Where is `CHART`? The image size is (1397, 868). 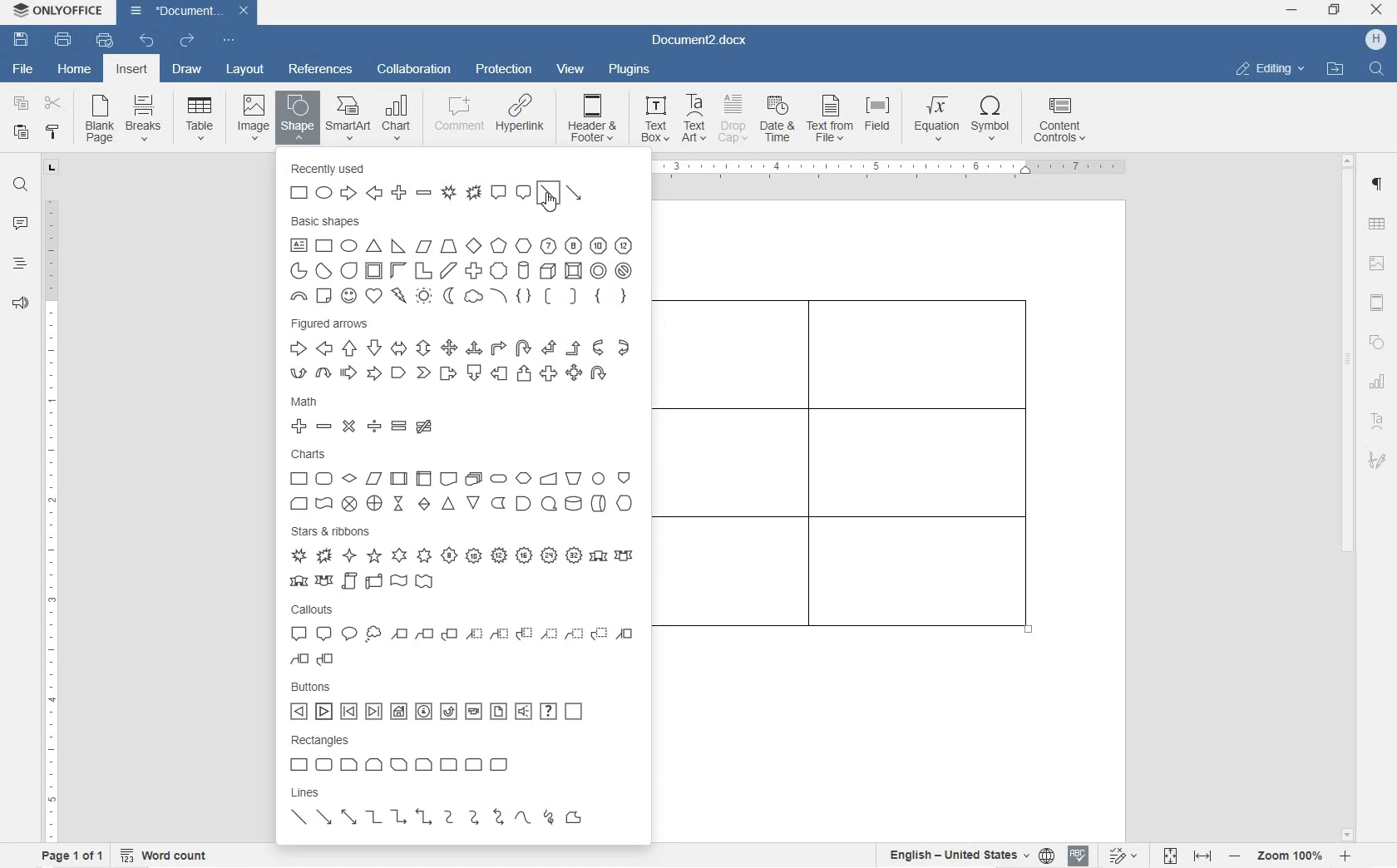
CHART is located at coordinates (397, 116).